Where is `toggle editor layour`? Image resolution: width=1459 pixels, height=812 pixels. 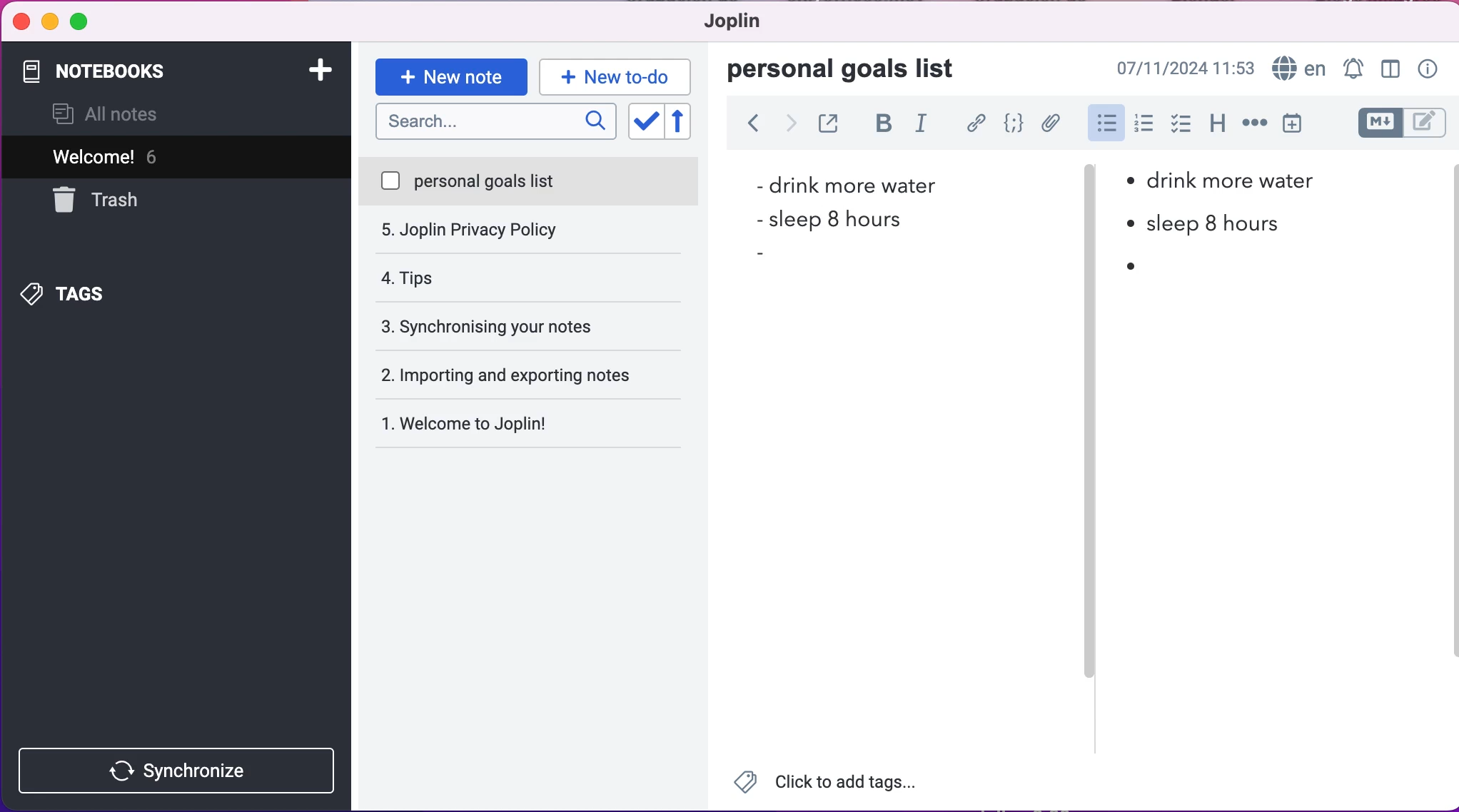
toggle editor layour is located at coordinates (1389, 66).